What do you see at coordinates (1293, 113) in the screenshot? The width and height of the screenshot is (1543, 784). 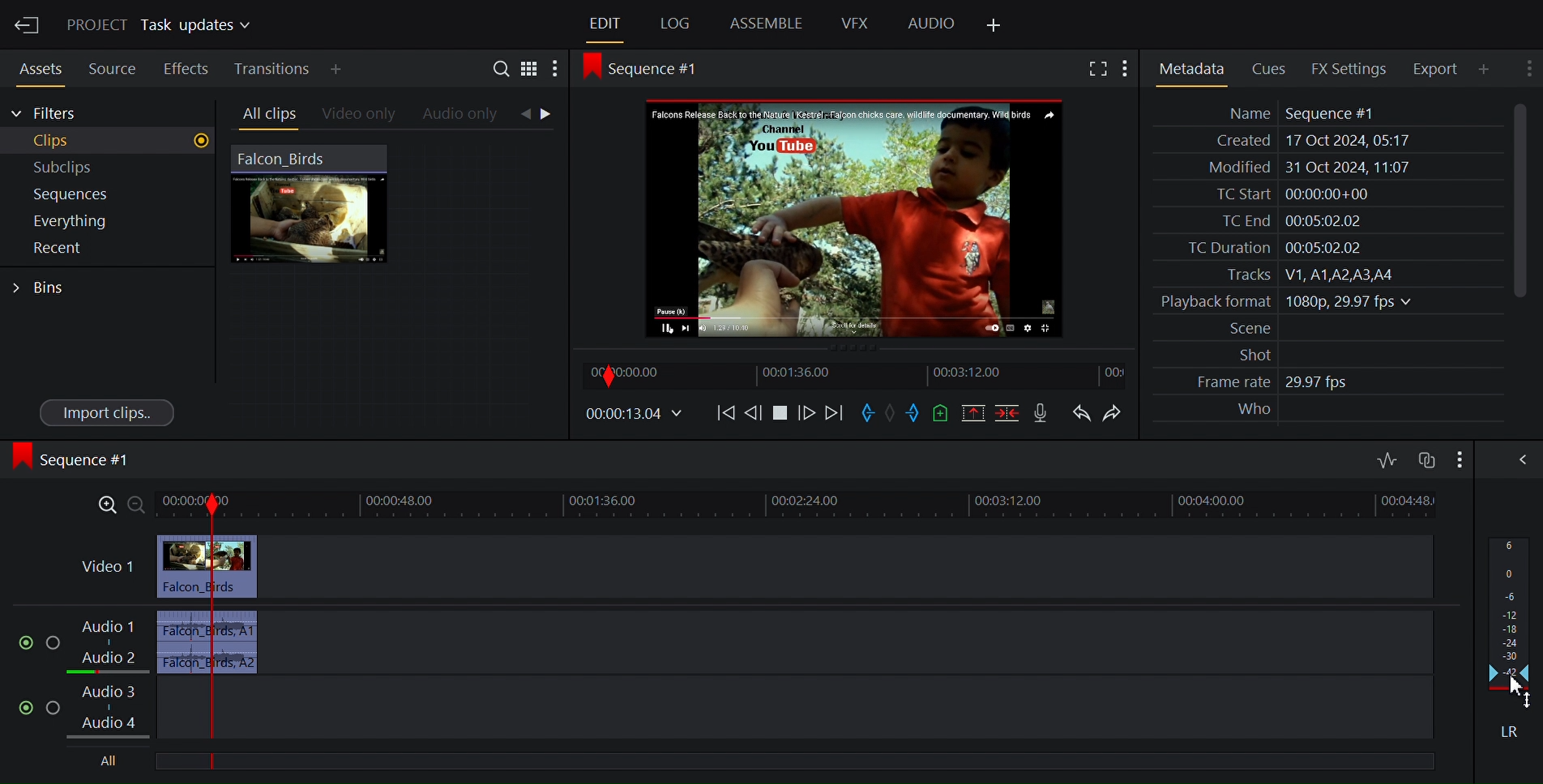 I see `Name Sequence #1` at bounding box center [1293, 113].